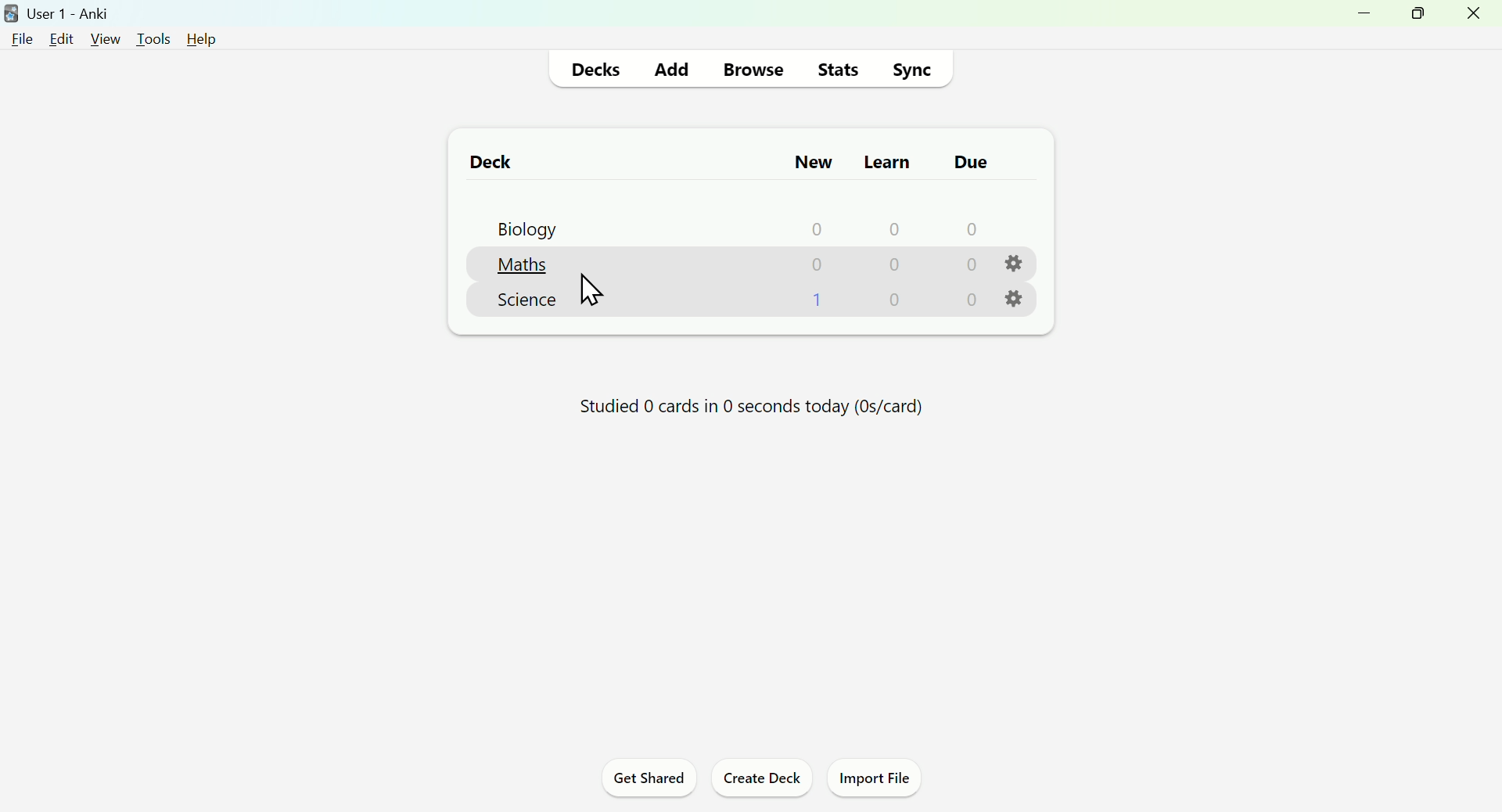  What do you see at coordinates (810, 230) in the screenshot?
I see `0` at bounding box center [810, 230].